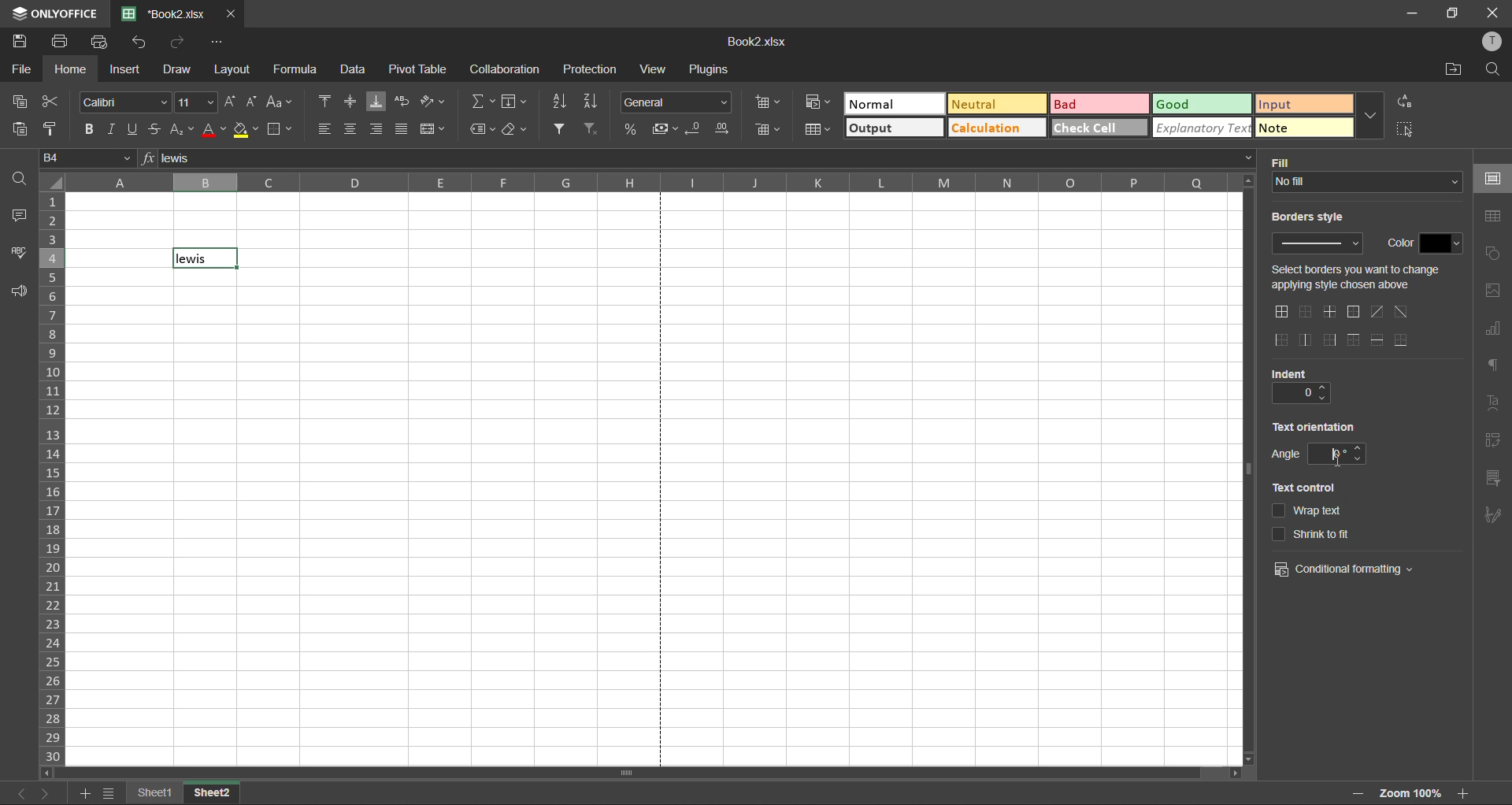  What do you see at coordinates (1497, 443) in the screenshot?
I see `pivot table` at bounding box center [1497, 443].